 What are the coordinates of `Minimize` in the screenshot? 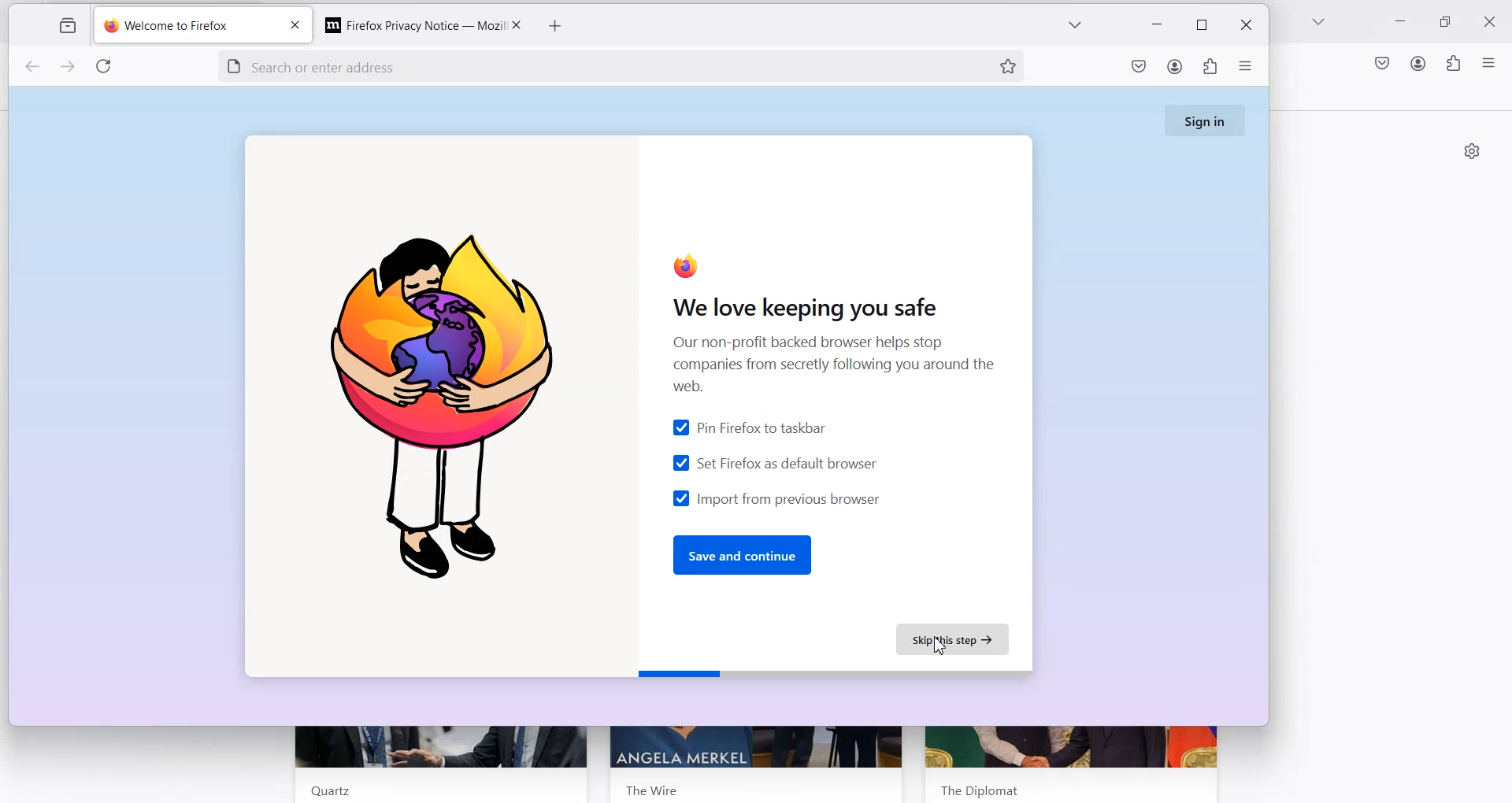 It's located at (1402, 24).